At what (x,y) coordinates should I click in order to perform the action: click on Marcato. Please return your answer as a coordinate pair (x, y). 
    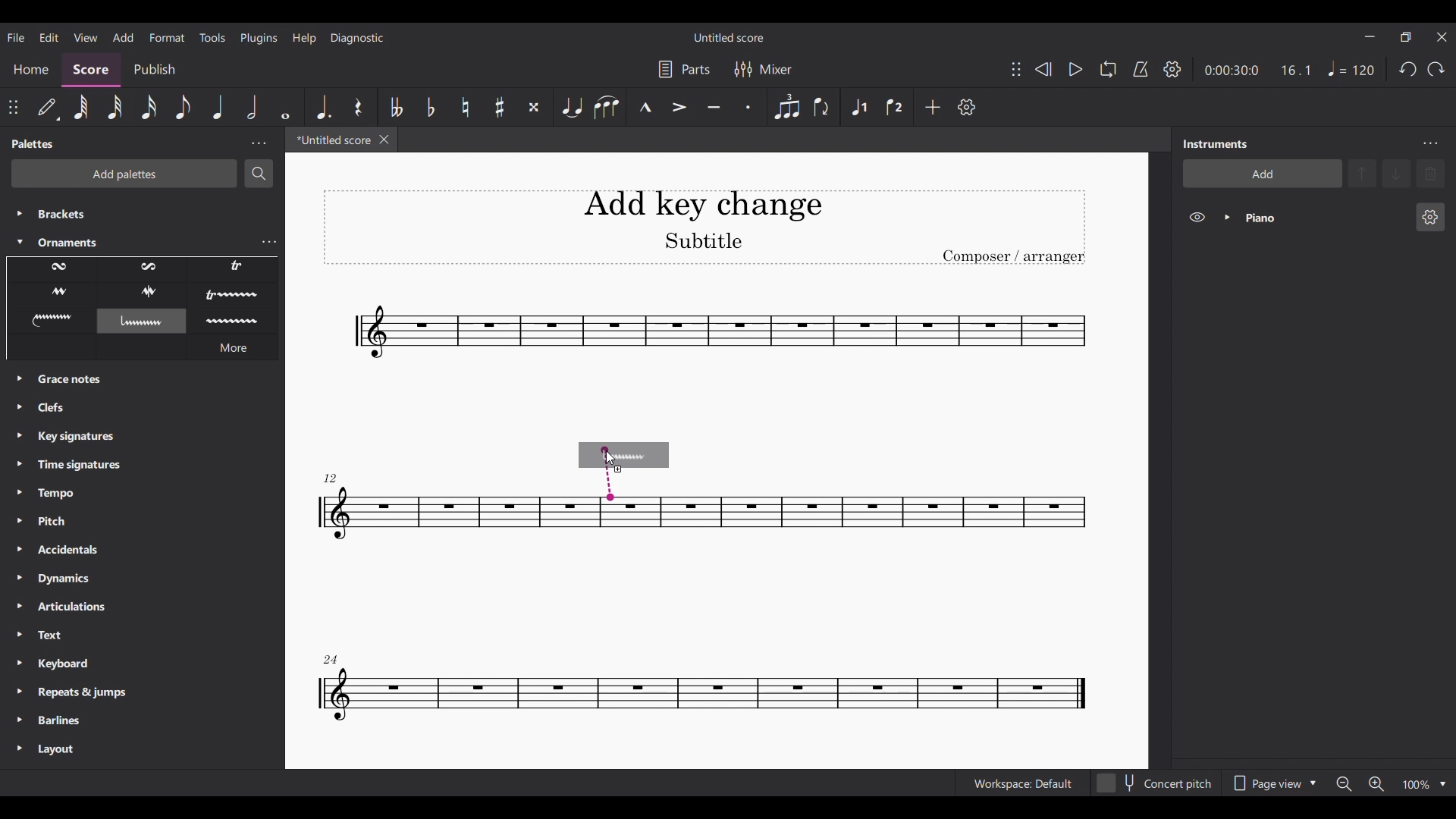
    Looking at the image, I should click on (645, 107).